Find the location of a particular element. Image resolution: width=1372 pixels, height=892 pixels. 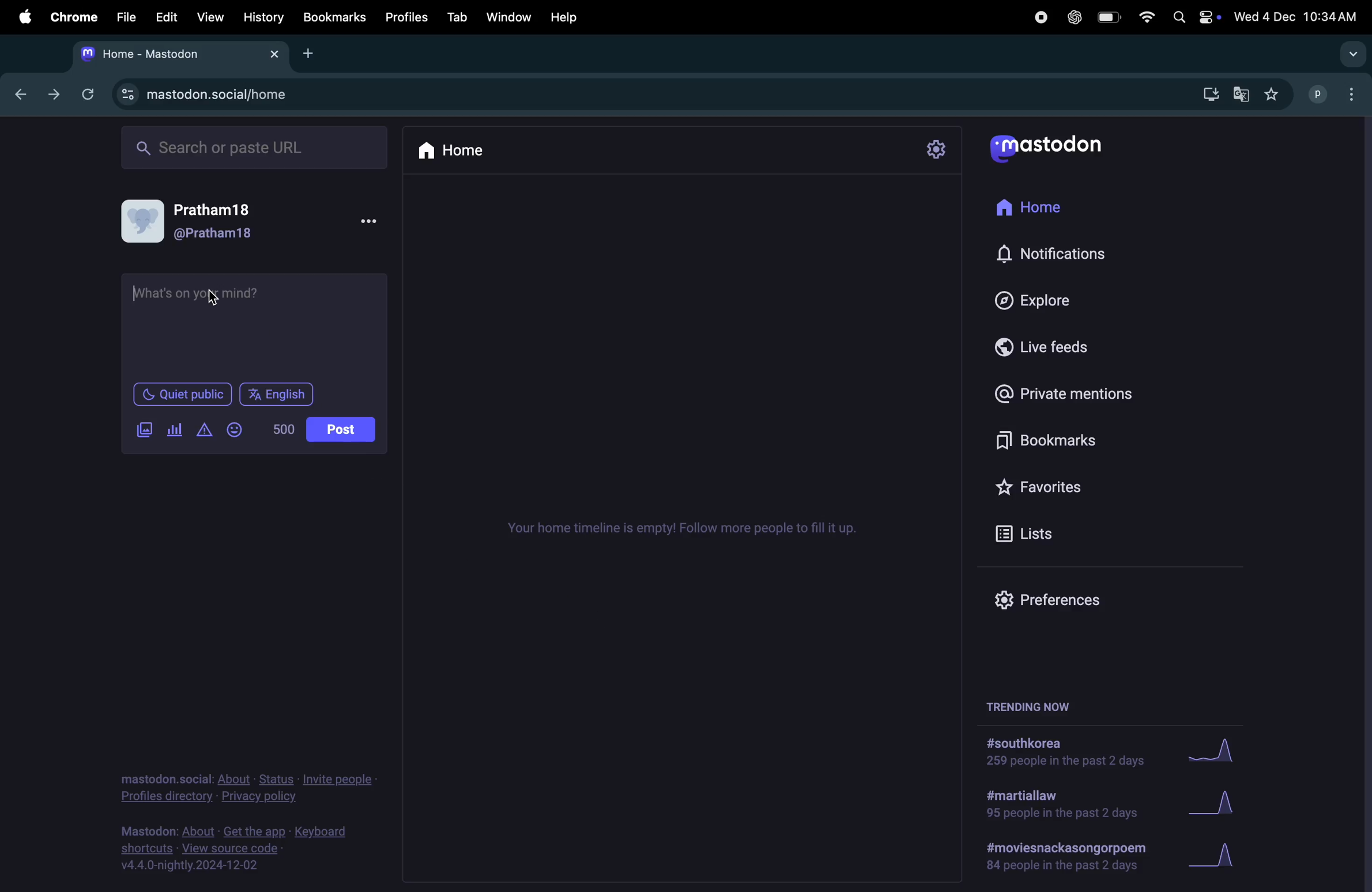

chrome profile is located at coordinates (1336, 96).